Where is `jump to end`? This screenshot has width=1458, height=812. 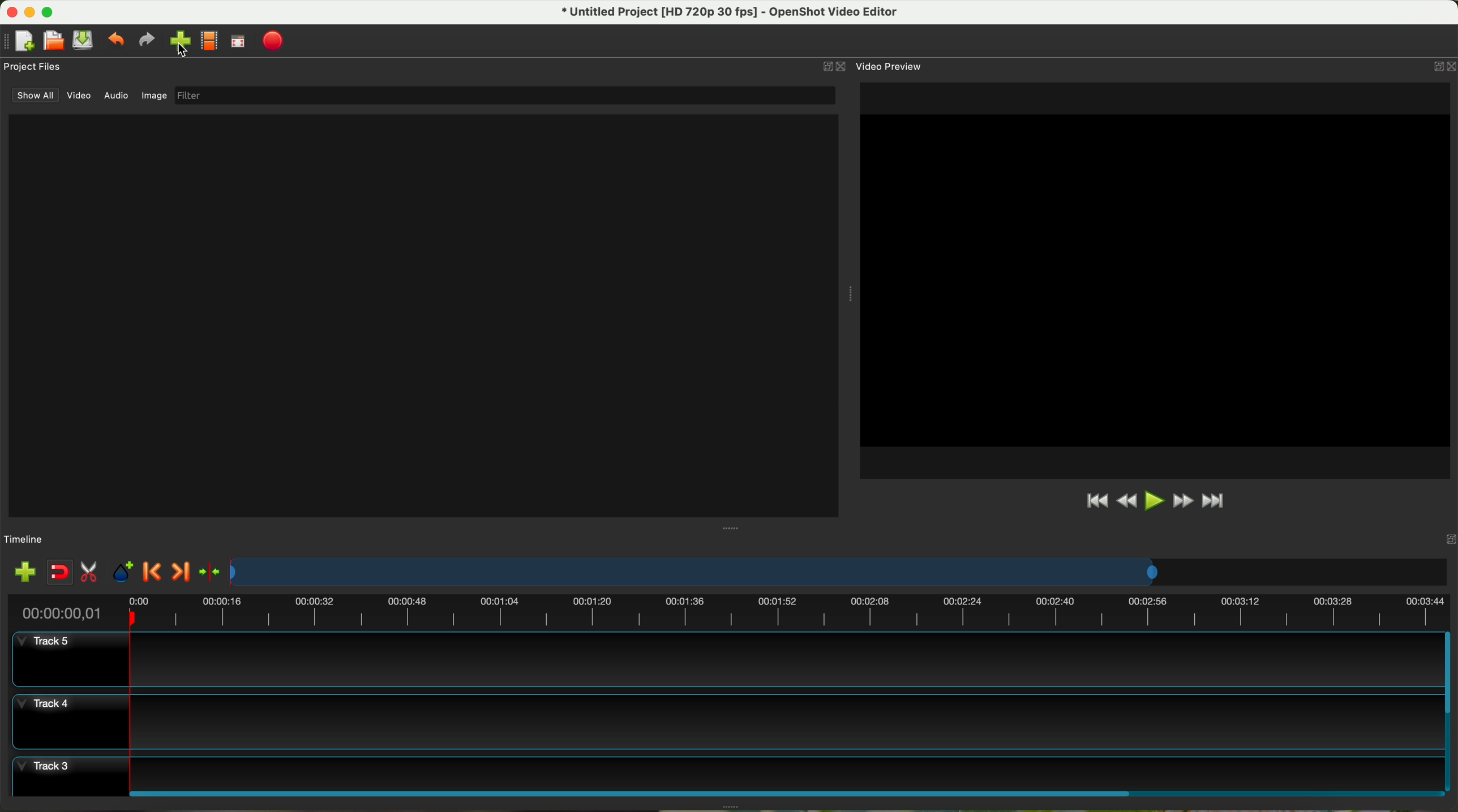
jump to end is located at coordinates (1215, 502).